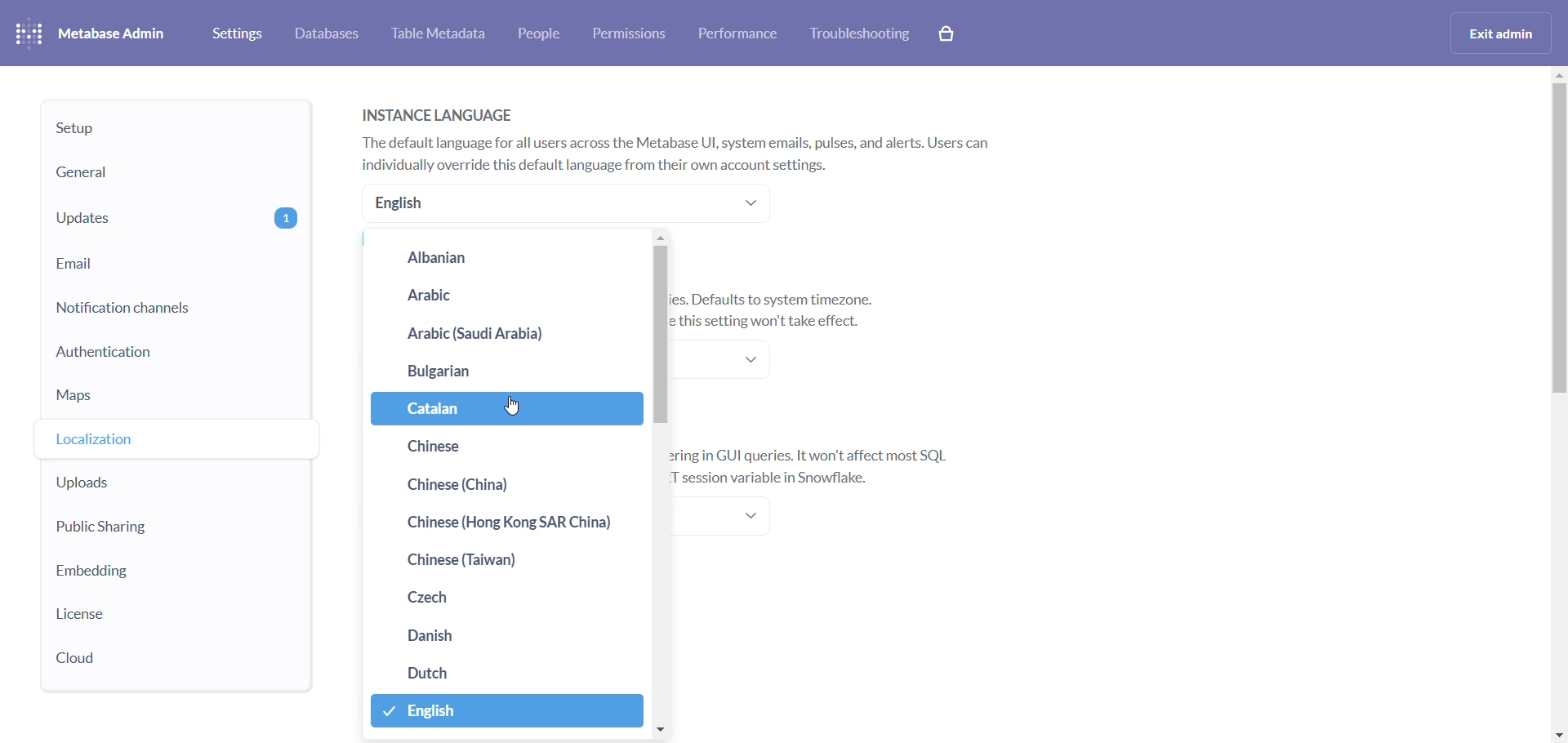  What do you see at coordinates (439, 33) in the screenshot?
I see `table metadata` at bounding box center [439, 33].